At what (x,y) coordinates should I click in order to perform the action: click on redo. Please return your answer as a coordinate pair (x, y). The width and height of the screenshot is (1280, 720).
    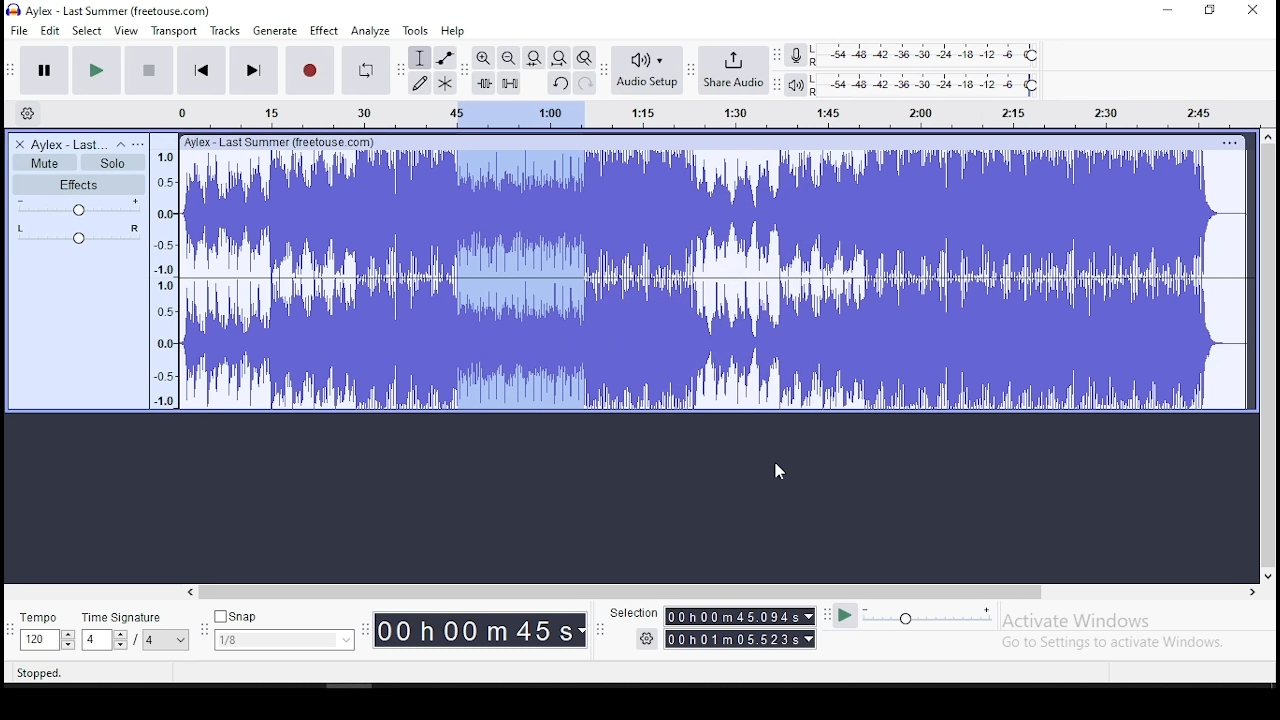
    Looking at the image, I should click on (586, 82).